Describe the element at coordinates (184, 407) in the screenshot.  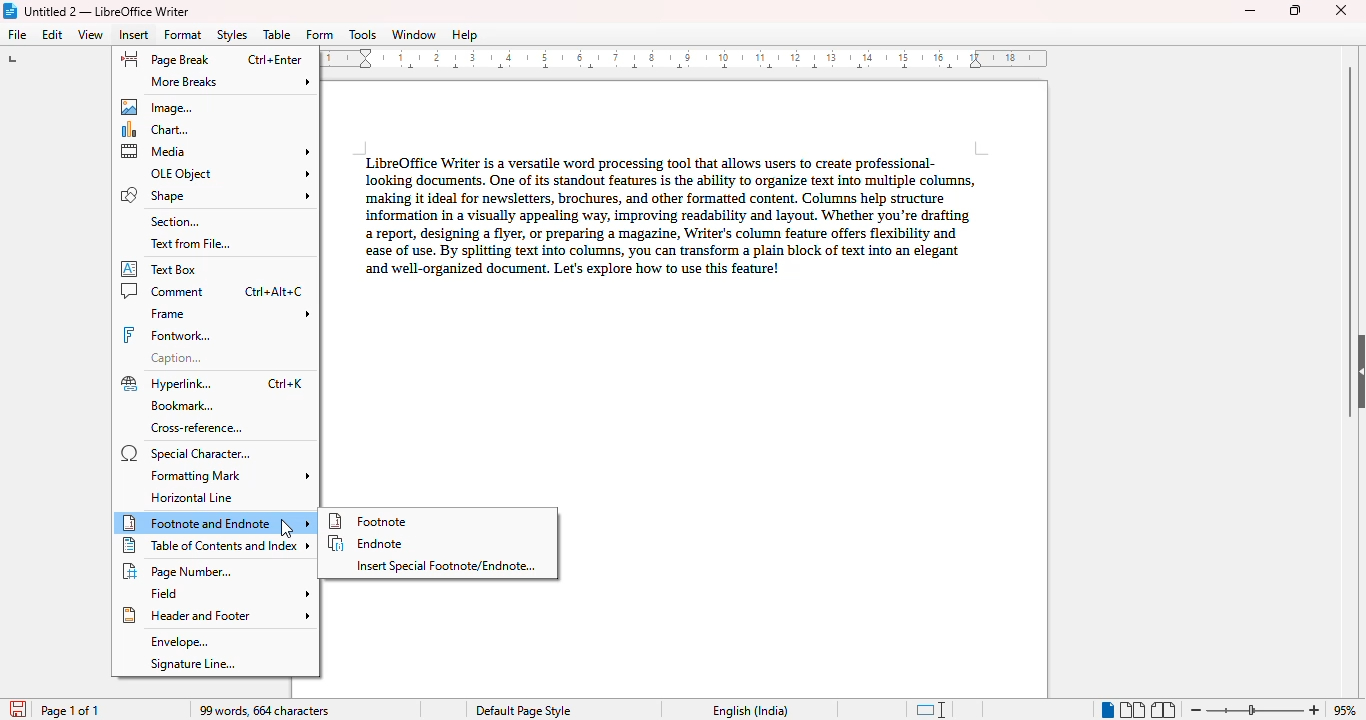
I see `bookmark` at that location.